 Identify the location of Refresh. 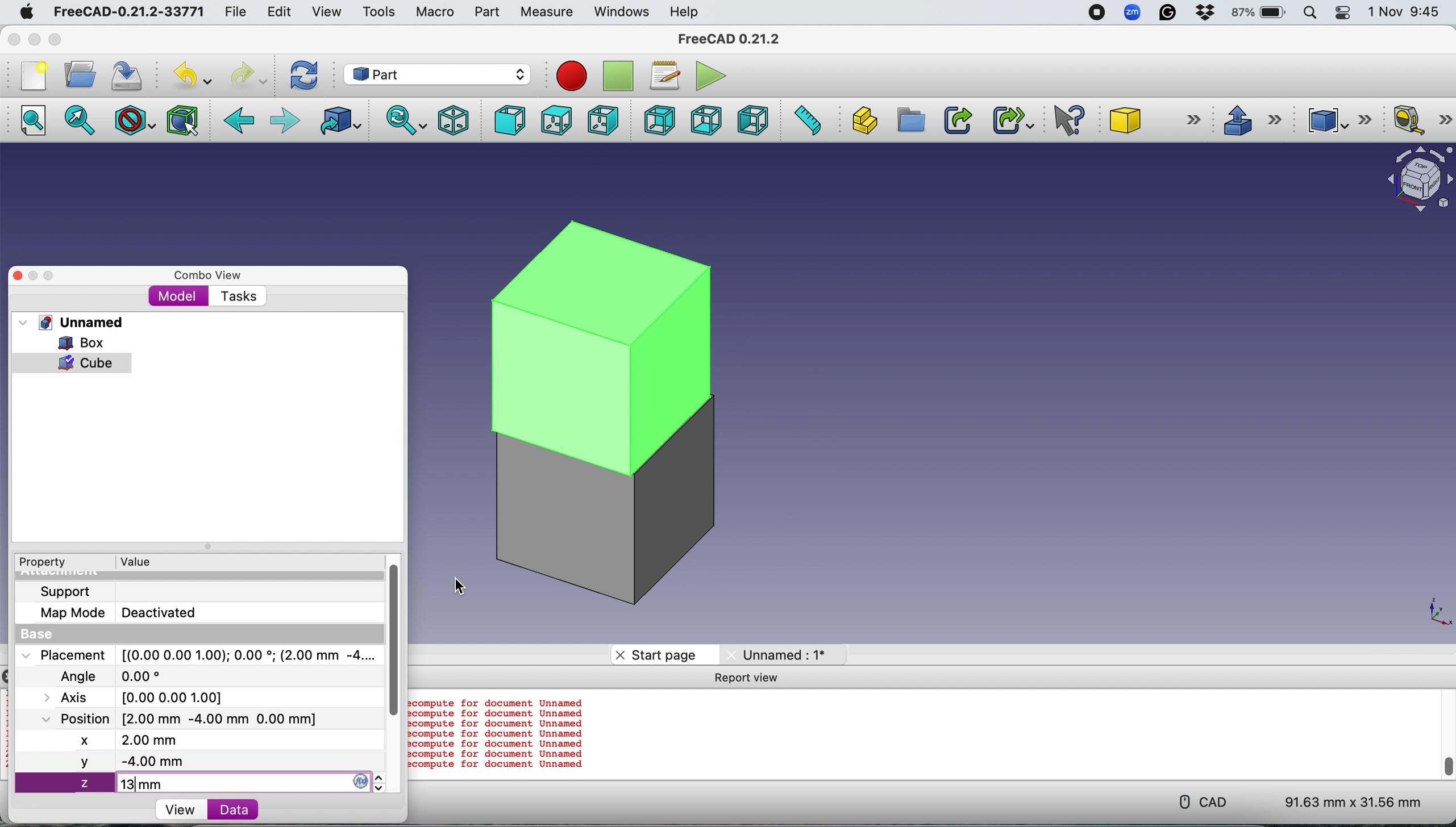
(307, 75).